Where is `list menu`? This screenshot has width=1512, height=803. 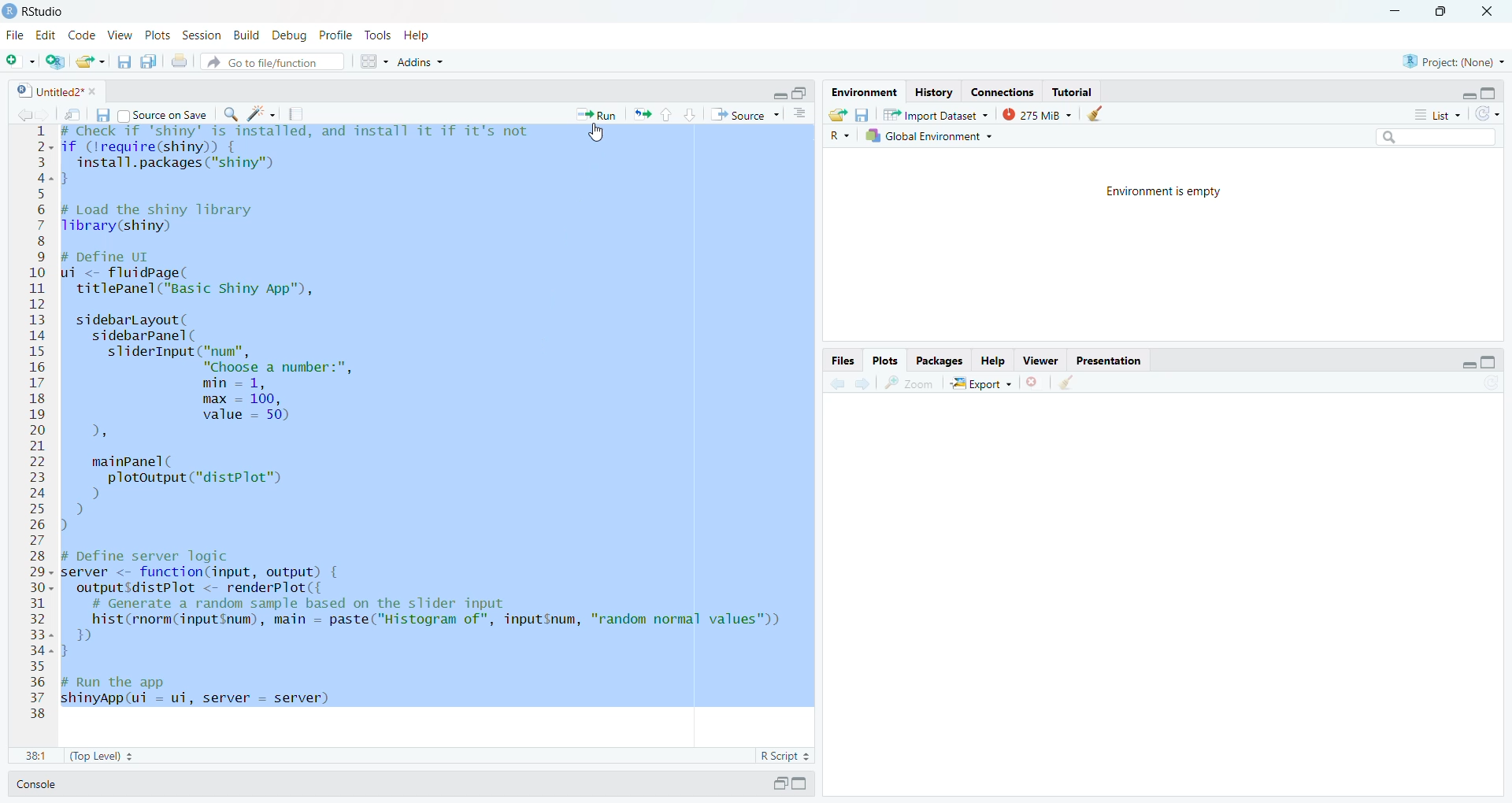
list menu is located at coordinates (1439, 114).